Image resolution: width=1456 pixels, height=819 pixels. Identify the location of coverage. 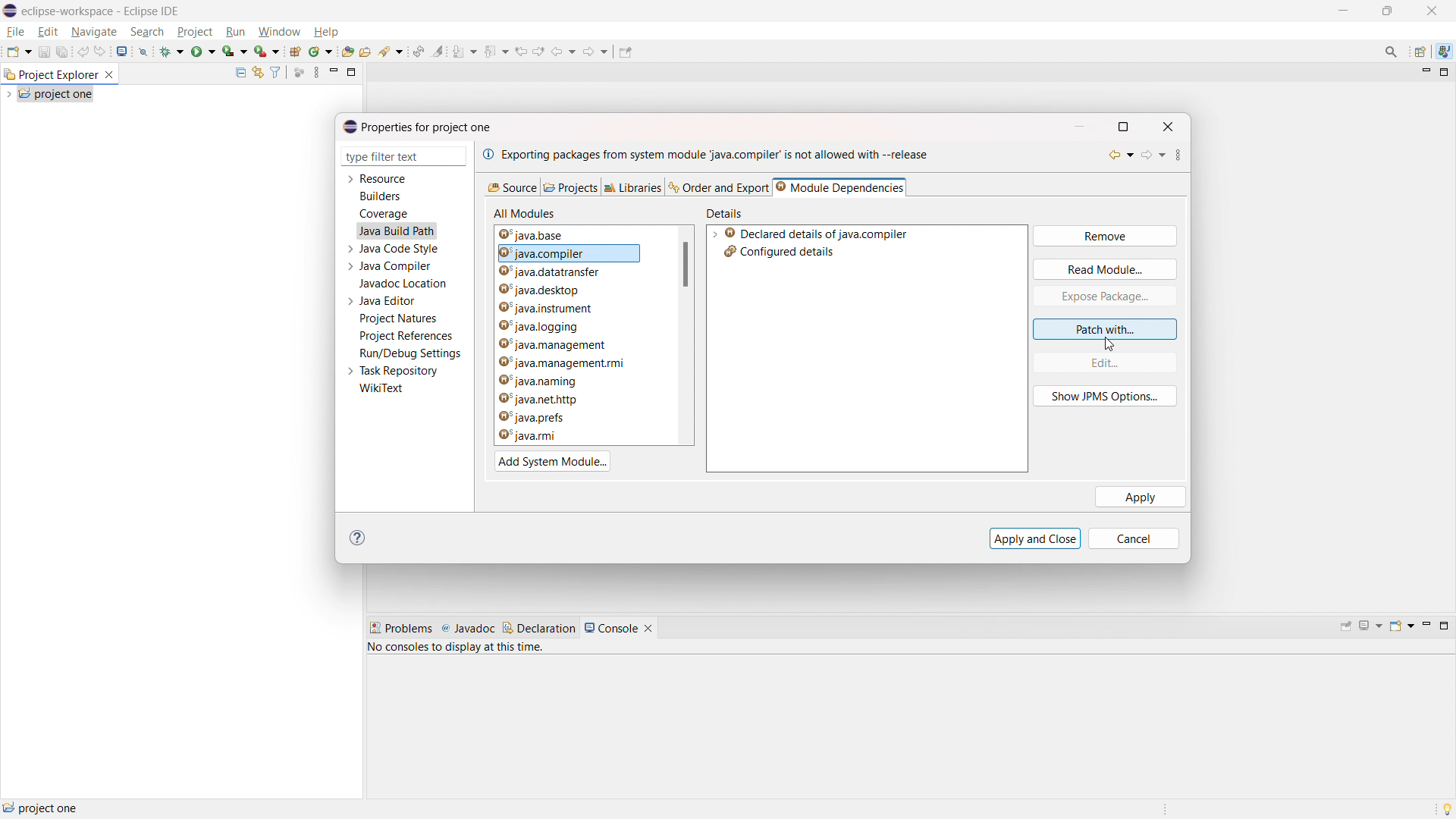
(235, 51).